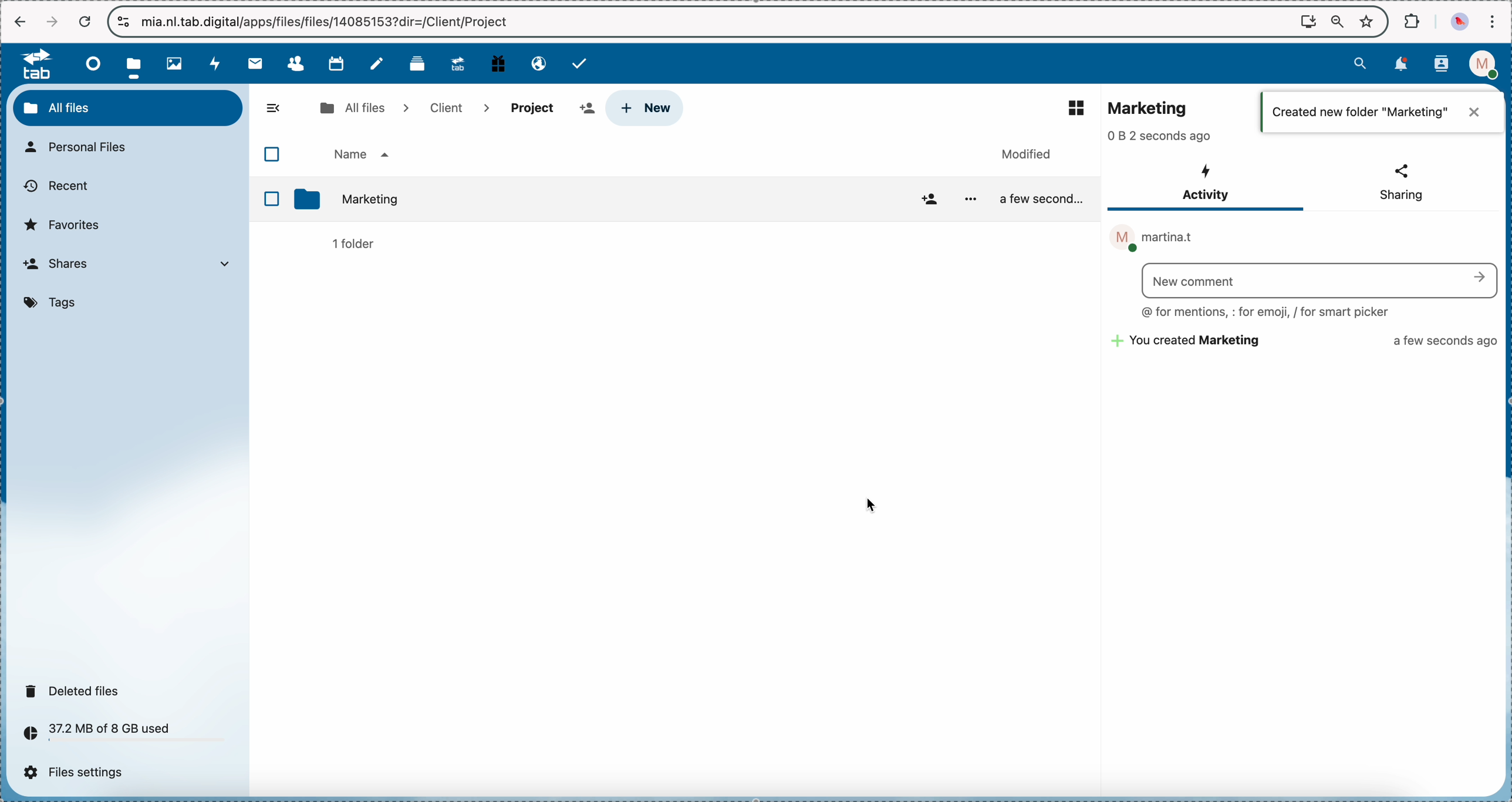 The height and width of the screenshot is (802, 1512). What do you see at coordinates (1442, 65) in the screenshot?
I see `contacts` at bounding box center [1442, 65].